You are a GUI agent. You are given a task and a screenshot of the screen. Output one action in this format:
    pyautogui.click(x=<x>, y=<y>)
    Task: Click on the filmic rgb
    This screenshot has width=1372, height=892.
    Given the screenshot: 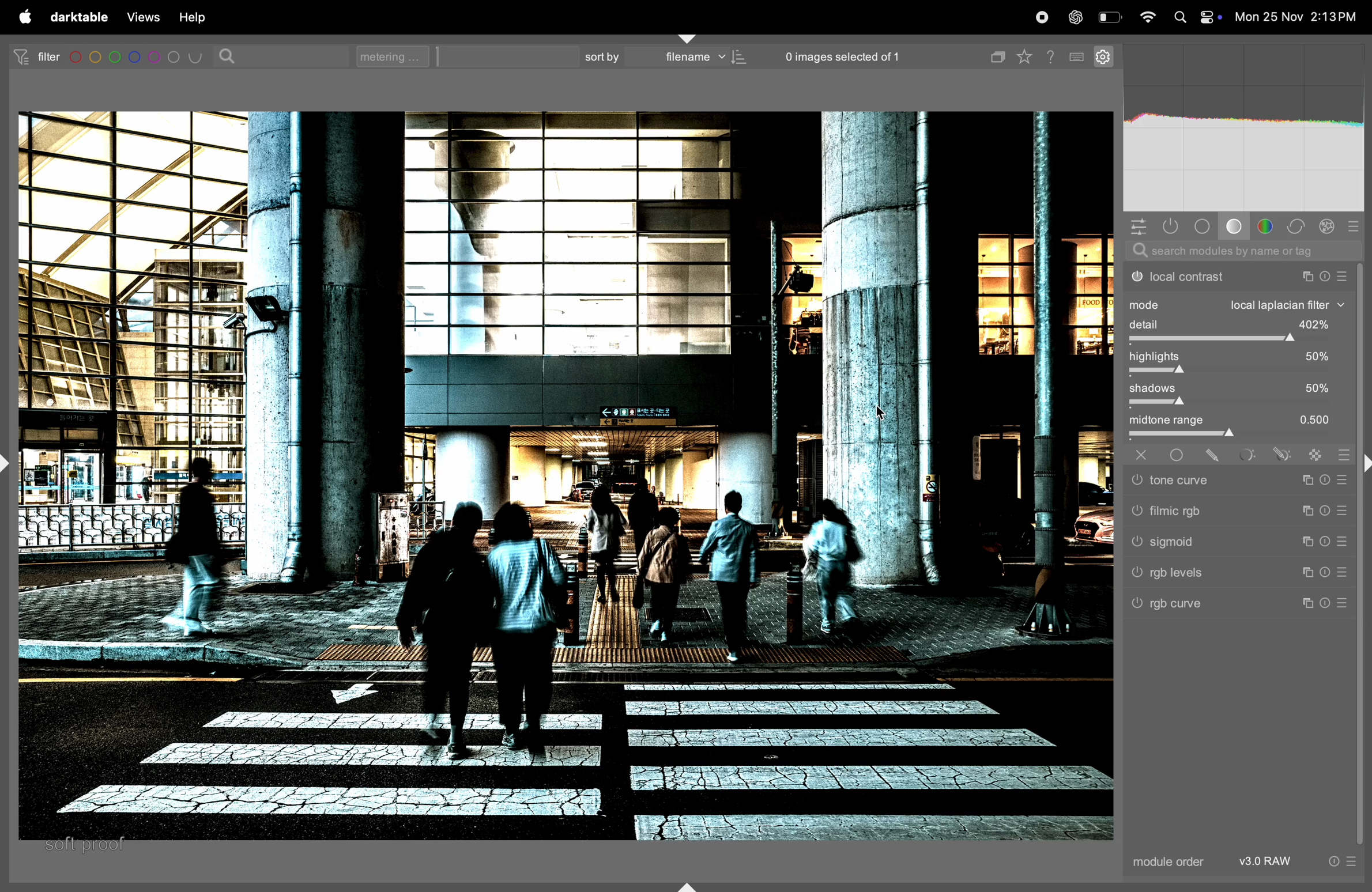 What is the action you would take?
    pyautogui.click(x=1232, y=511)
    